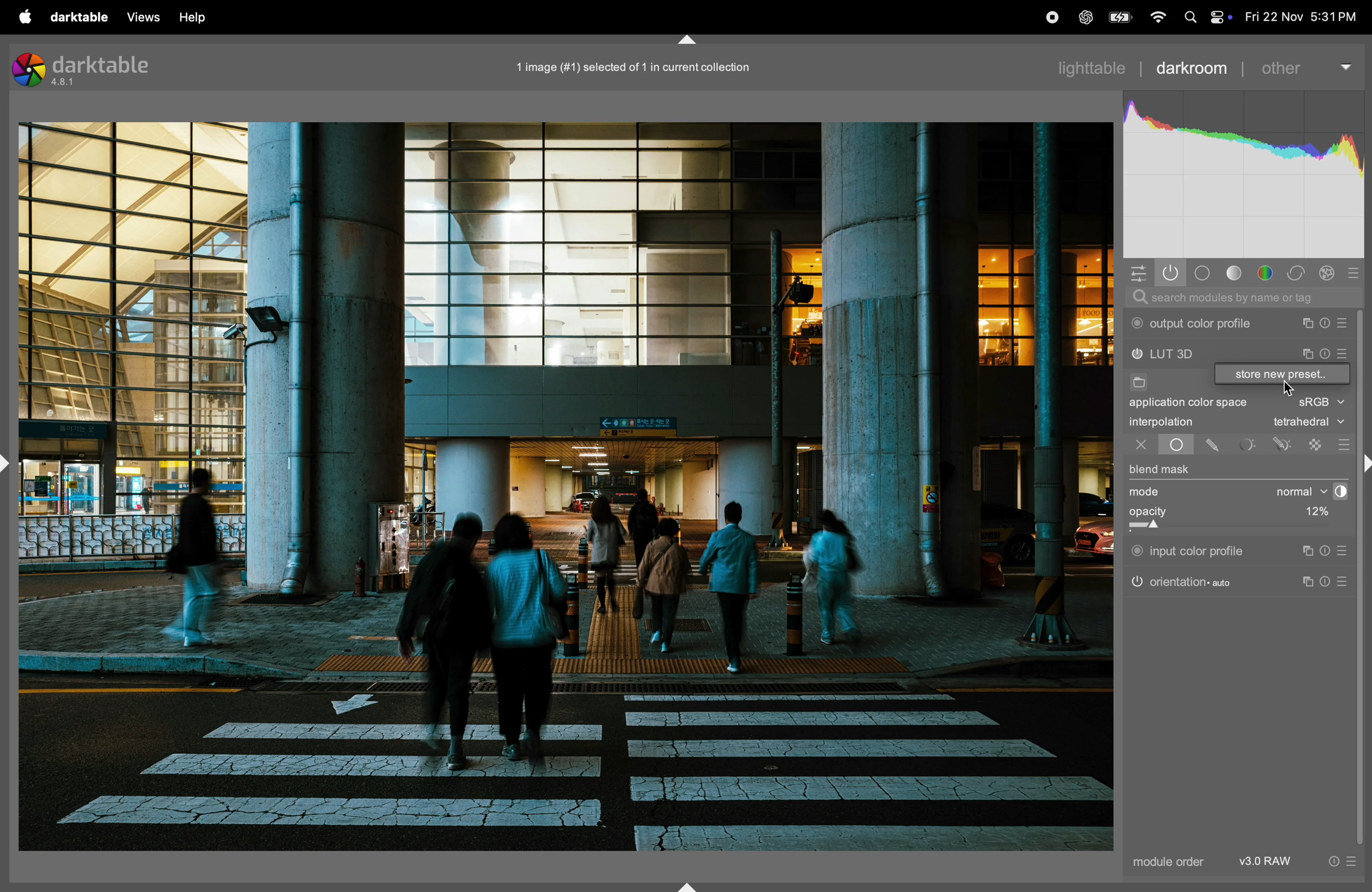 The width and height of the screenshot is (1372, 892). I want to click on , so click(1363, 465).